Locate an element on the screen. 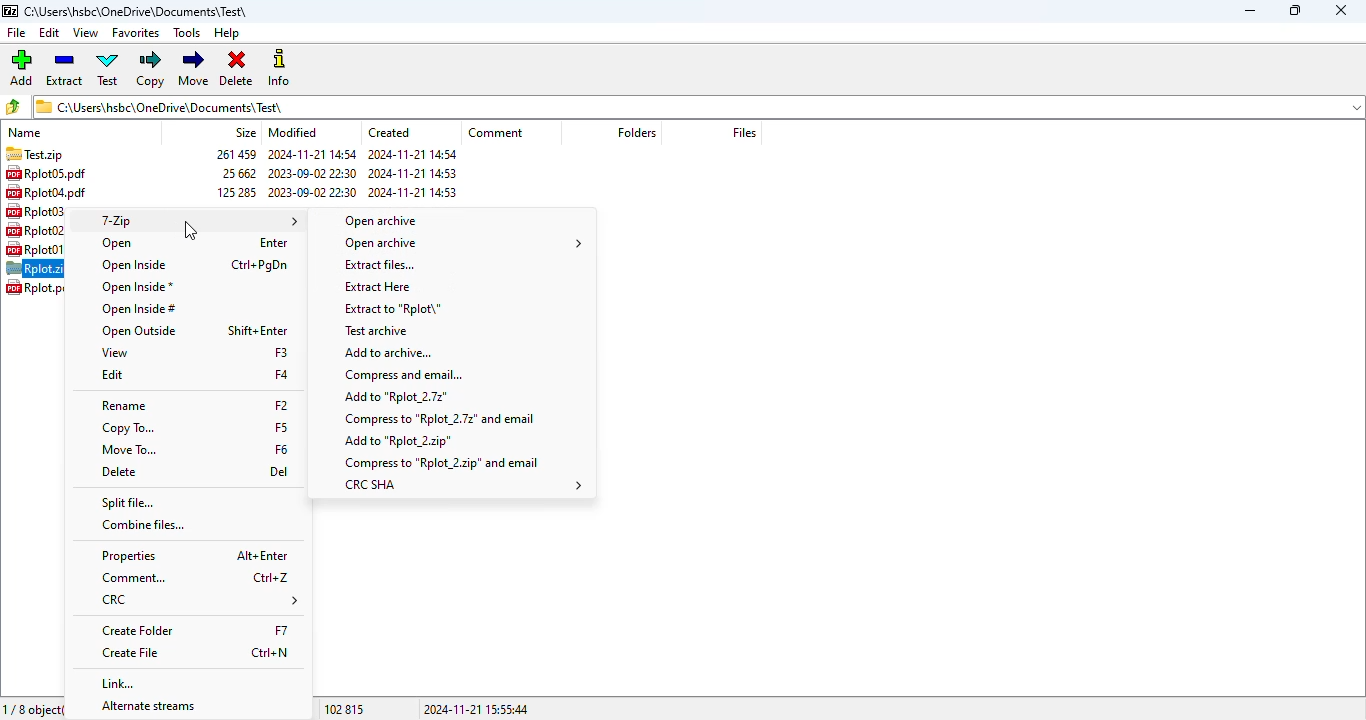 The image size is (1366, 720). shortcut for copy to is located at coordinates (280, 425).